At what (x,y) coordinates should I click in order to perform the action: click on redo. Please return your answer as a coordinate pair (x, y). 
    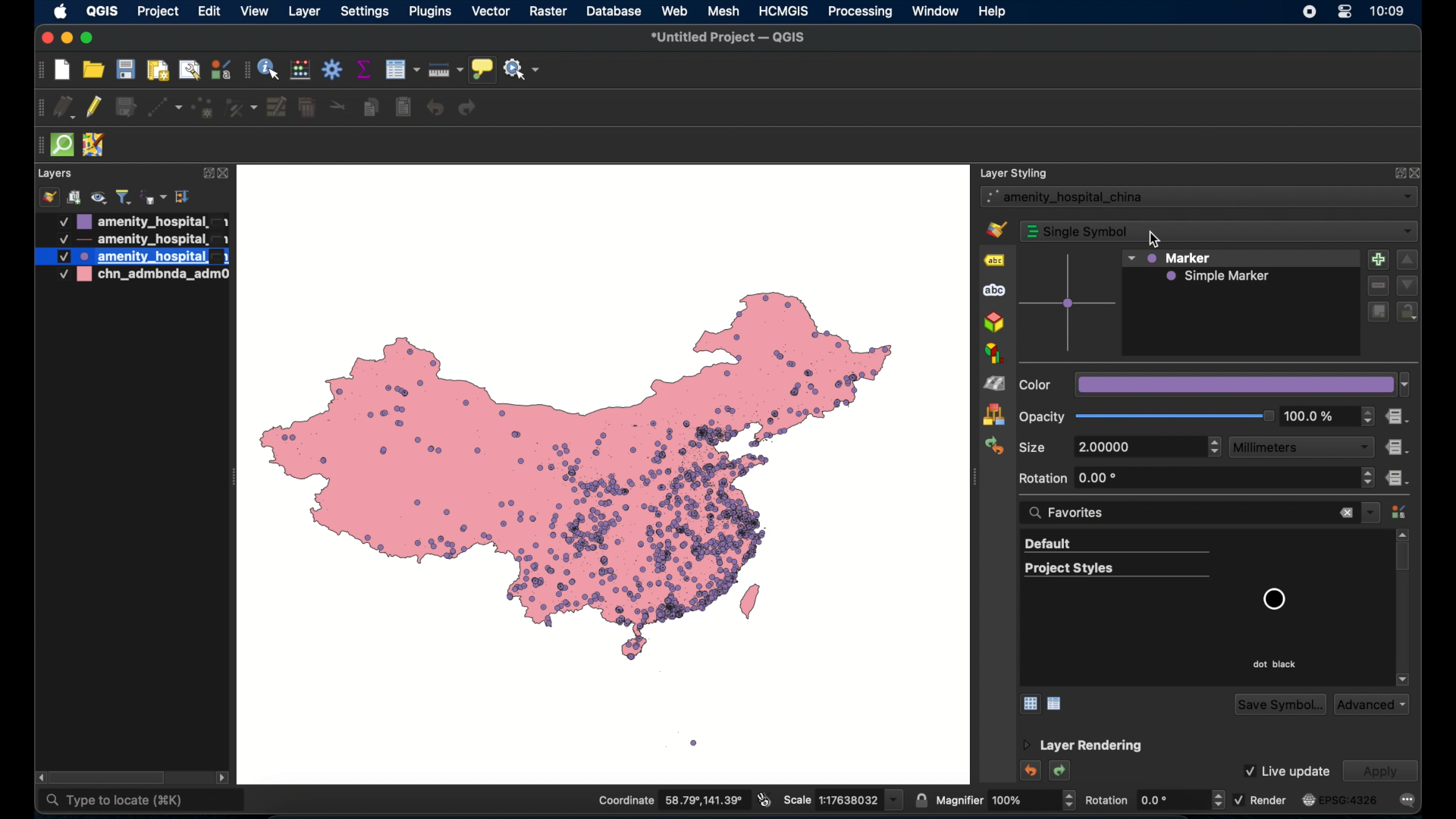
    Looking at the image, I should click on (468, 110).